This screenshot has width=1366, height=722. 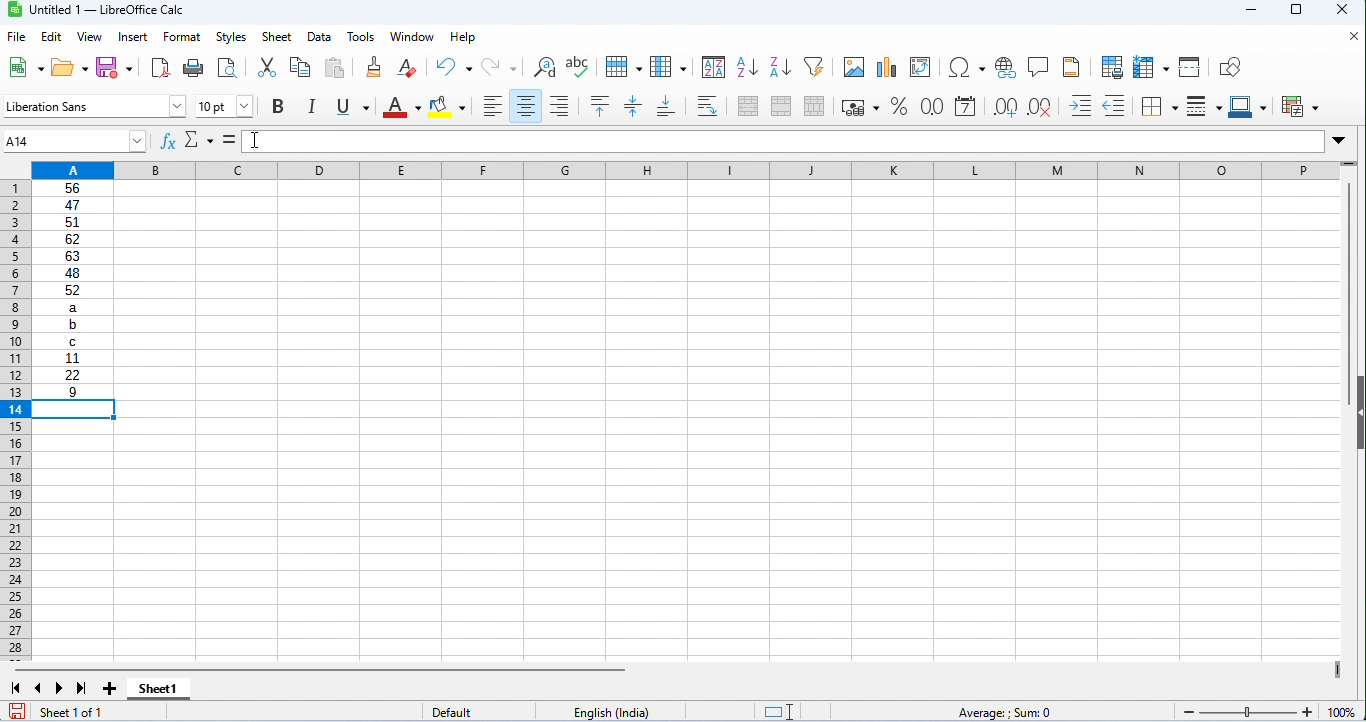 What do you see at coordinates (783, 141) in the screenshot?
I see `formula bar` at bounding box center [783, 141].